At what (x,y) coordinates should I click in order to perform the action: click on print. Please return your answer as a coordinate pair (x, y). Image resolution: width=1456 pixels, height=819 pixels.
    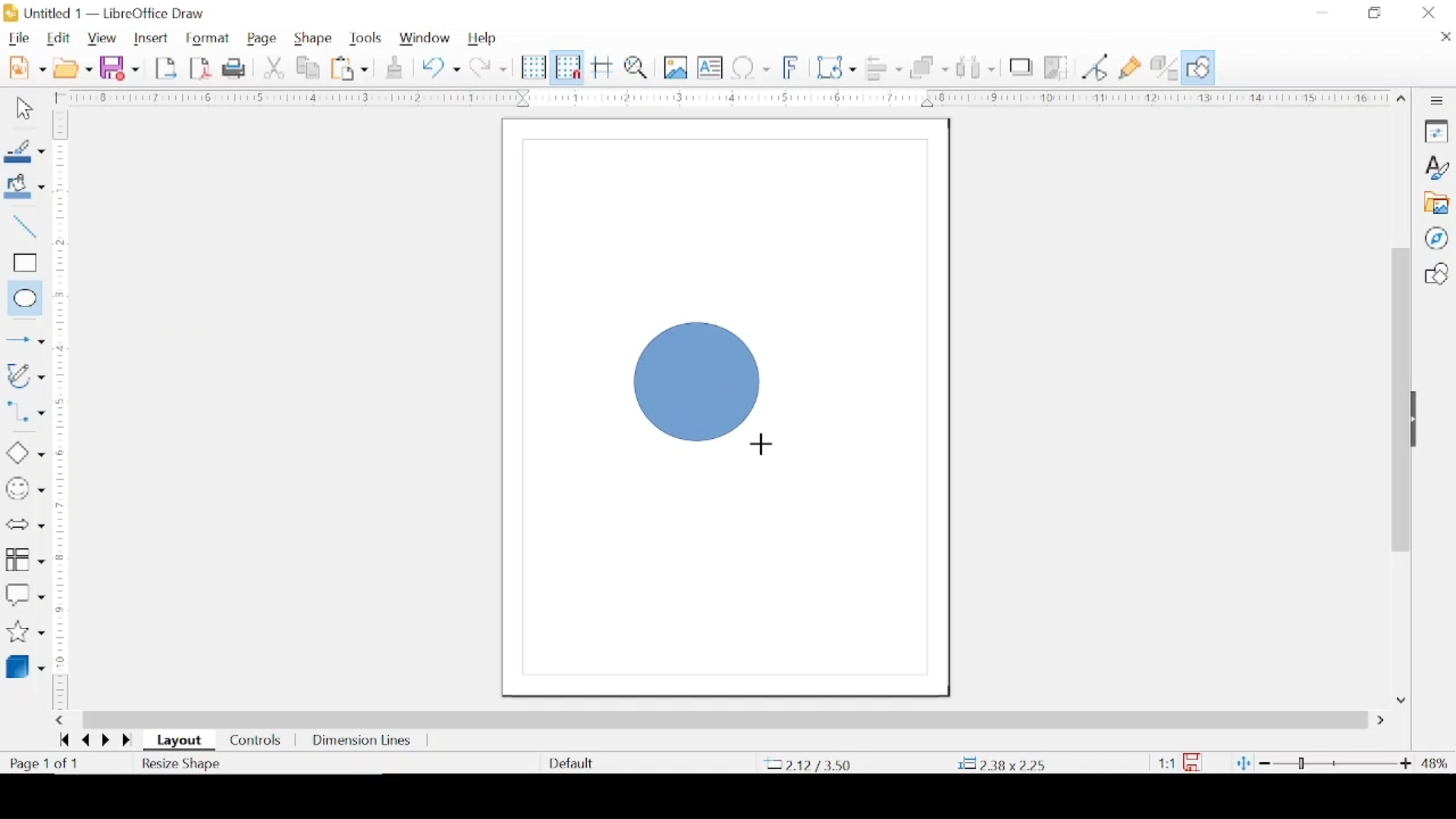
    Looking at the image, I should click on (234, 69).